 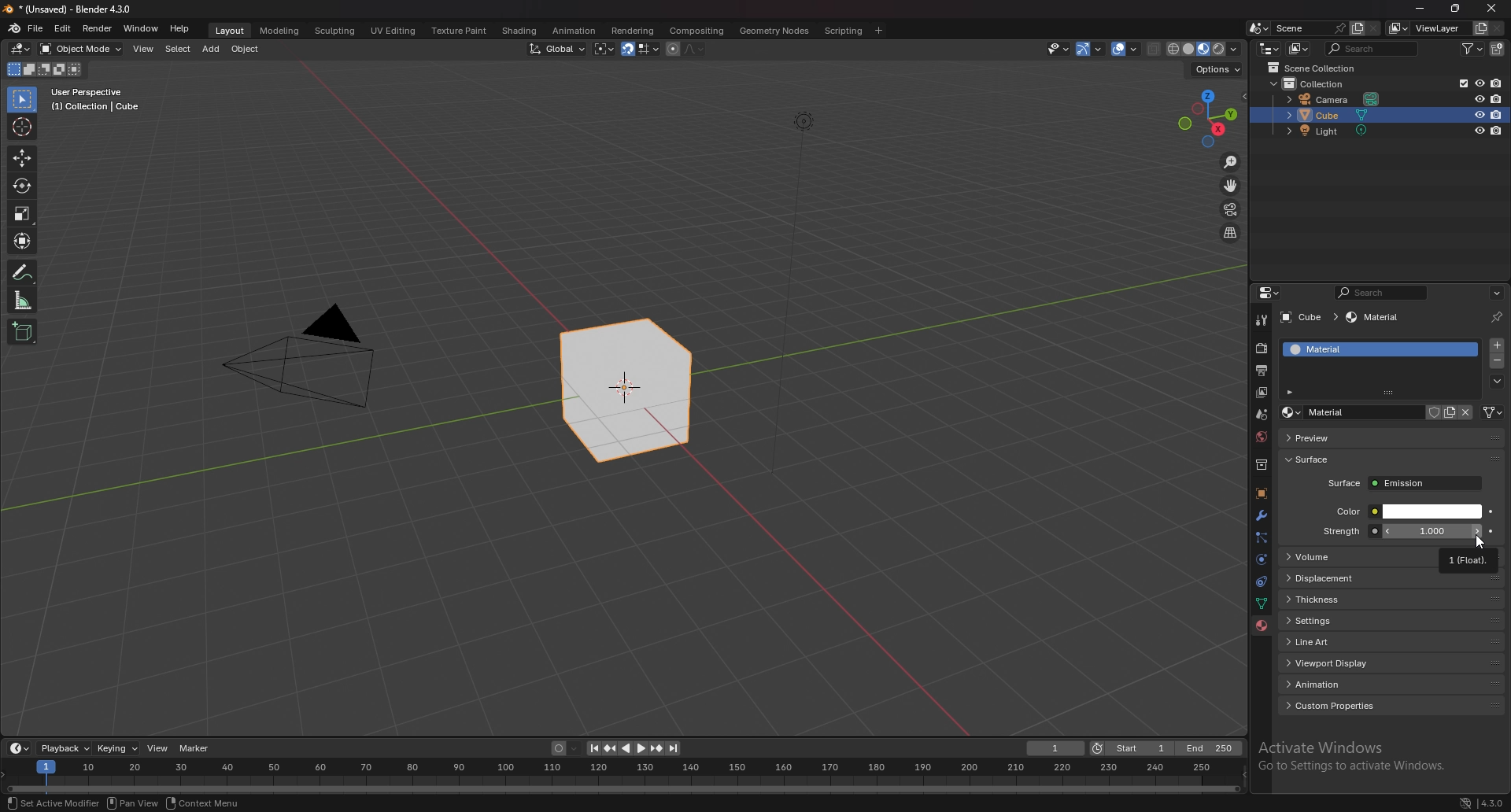 I want to click on displacement, so click(x=1392, y=578).